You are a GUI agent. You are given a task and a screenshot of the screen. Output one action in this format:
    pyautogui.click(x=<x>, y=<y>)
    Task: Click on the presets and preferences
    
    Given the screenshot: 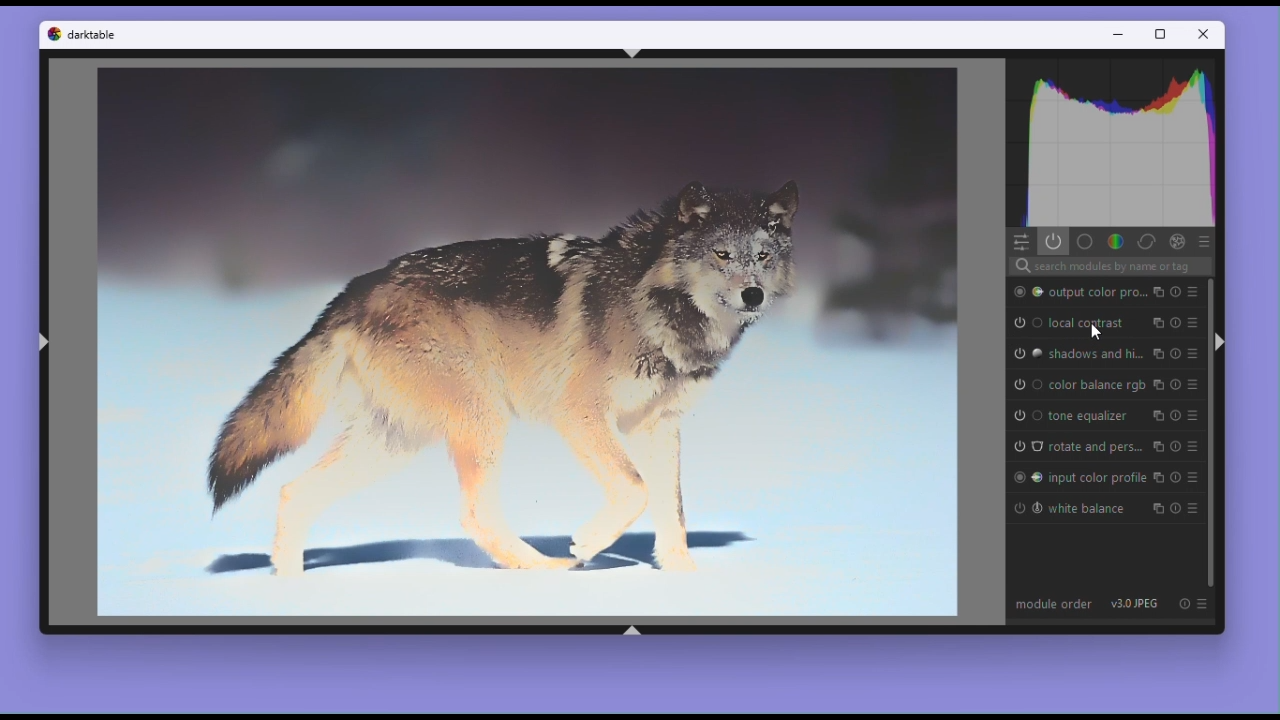 What is the action you would take?
    pyautogui.click(x=1196, y=385)
    